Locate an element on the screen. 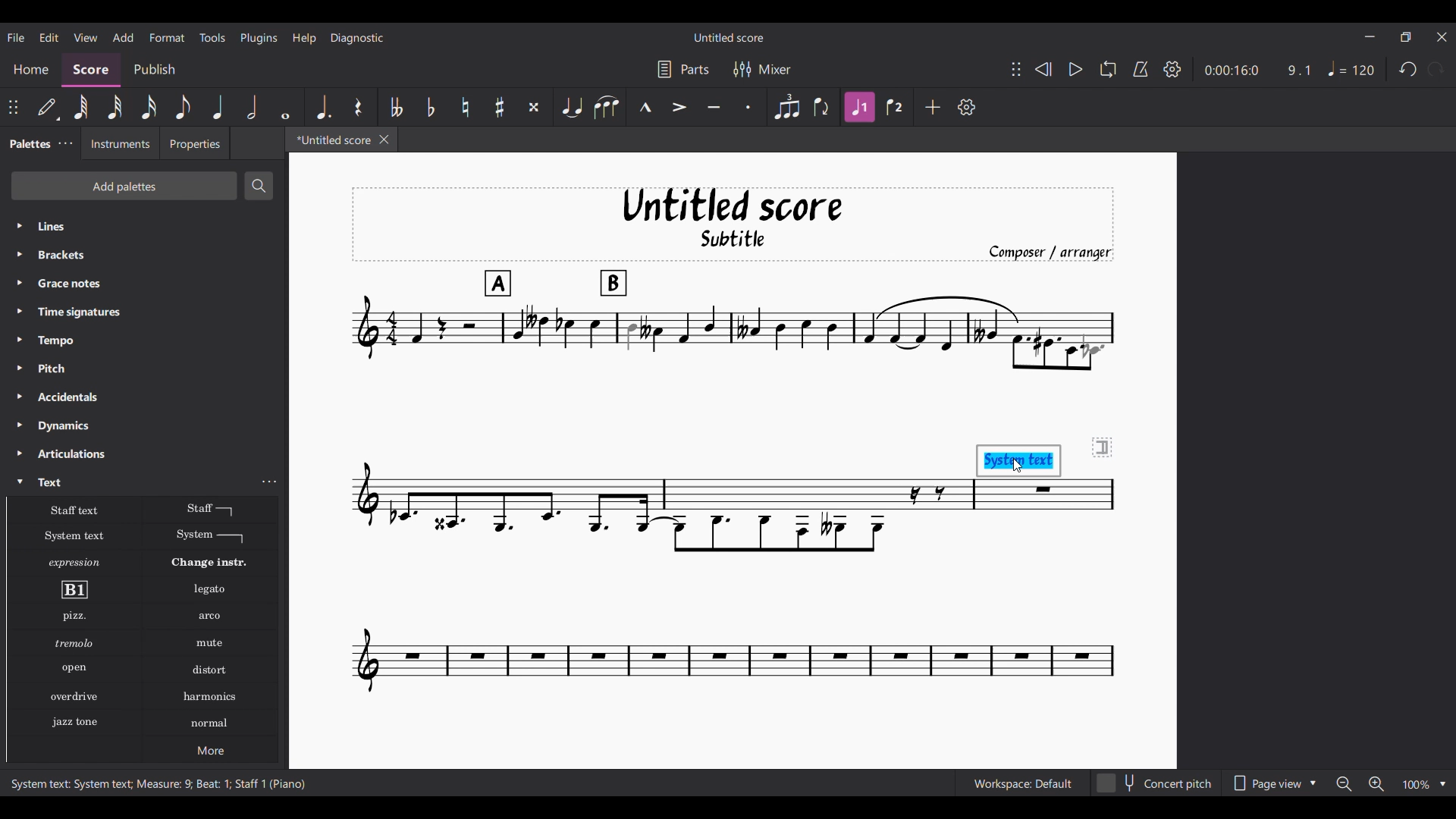 The image size is (1456, 819). Default is located at coordinates (48, 107).